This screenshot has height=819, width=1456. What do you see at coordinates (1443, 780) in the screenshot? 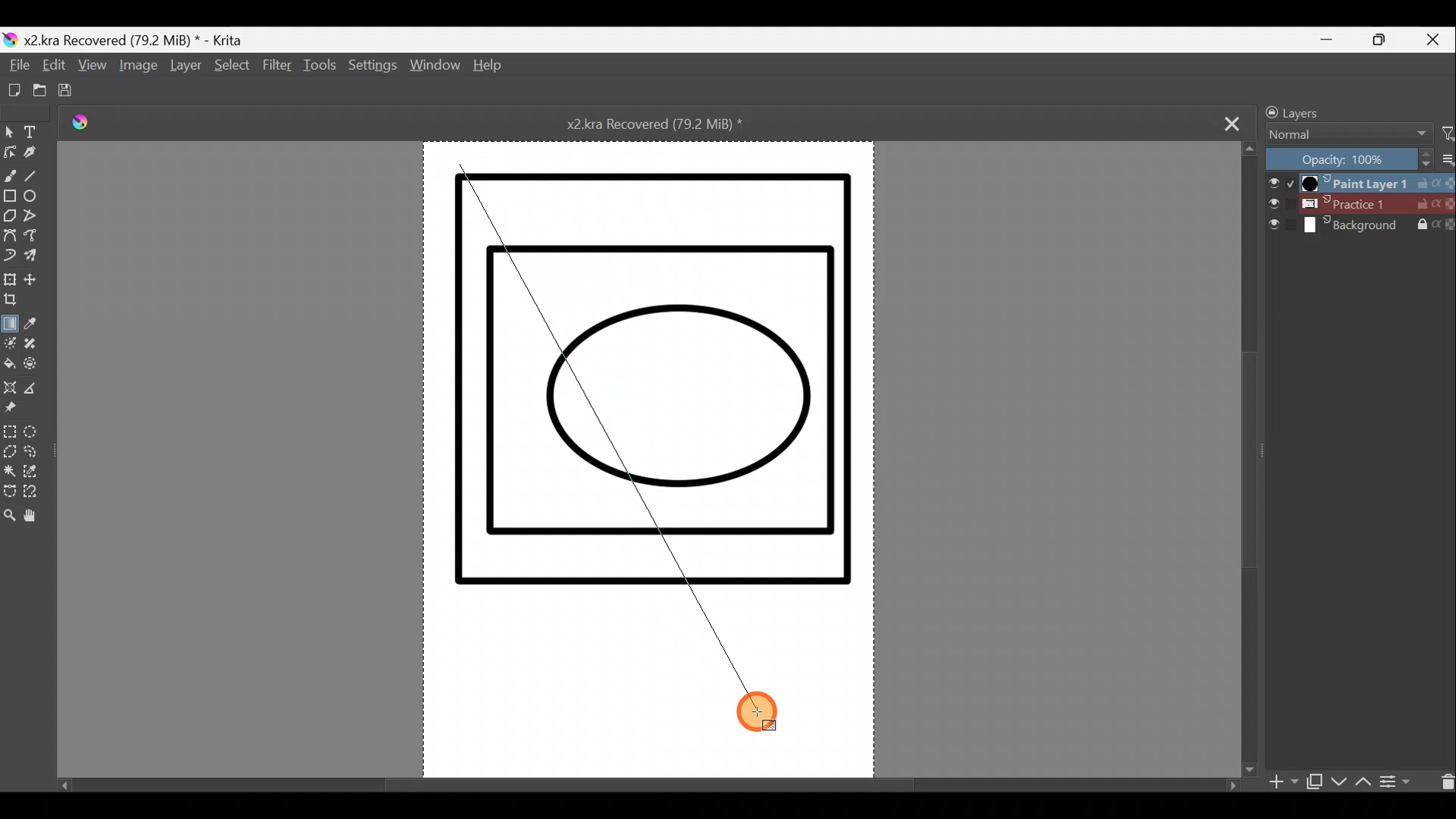
I see `Delete layer/mask` at bounding box center [1443, 780].